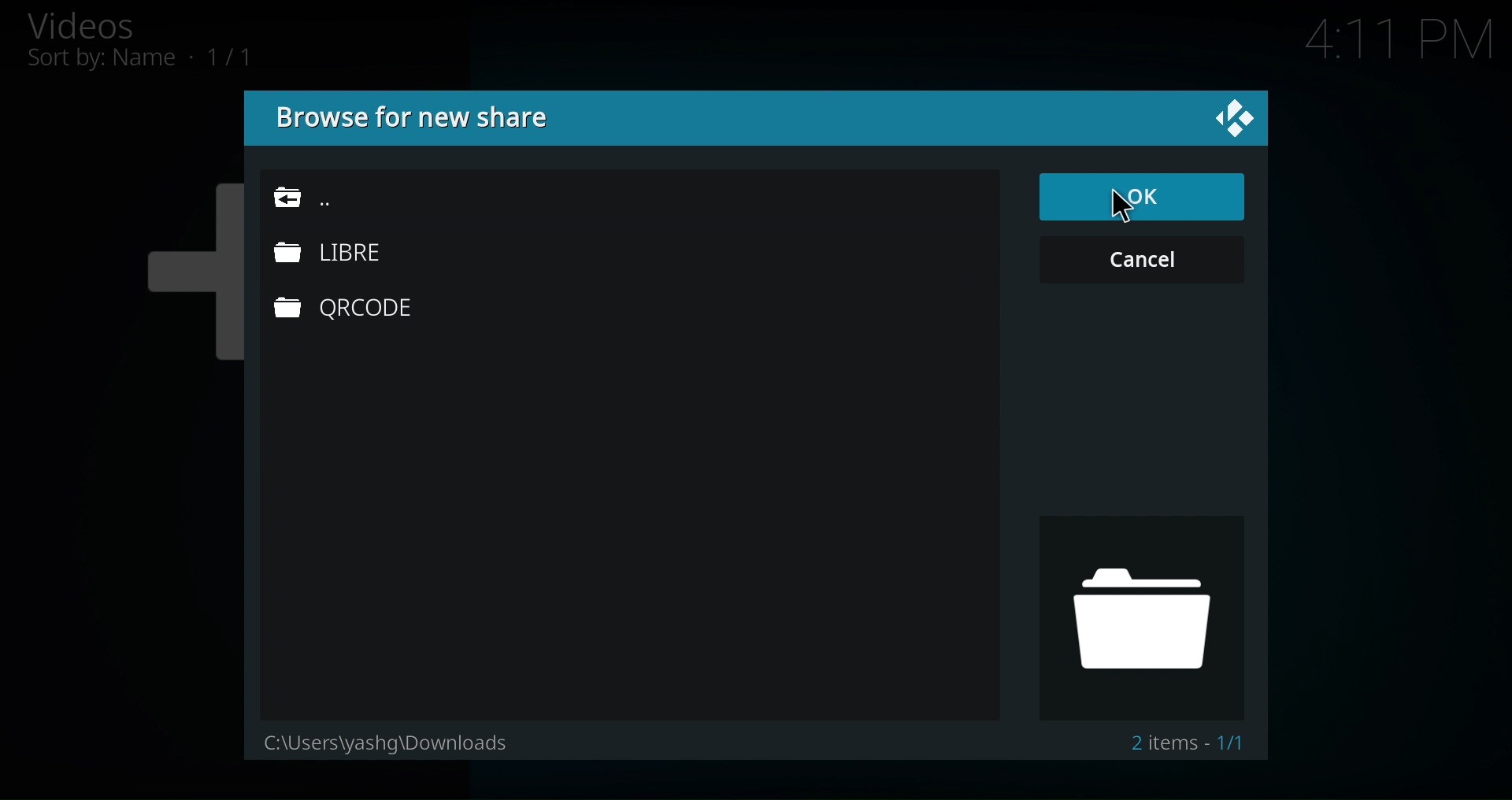  What do you see at coordinates (352, 309) in the screenshot?
I see `QRCODE ` at bounding box center [352, 309].